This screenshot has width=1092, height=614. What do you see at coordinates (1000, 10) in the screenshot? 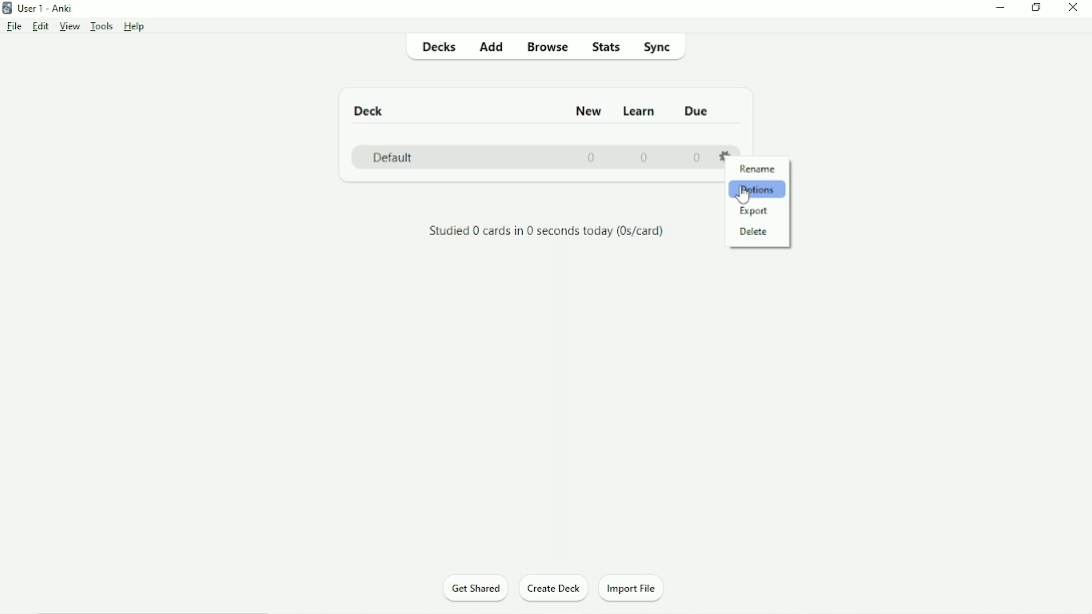
I see `Minimize` at bounding box center [1000, 10].